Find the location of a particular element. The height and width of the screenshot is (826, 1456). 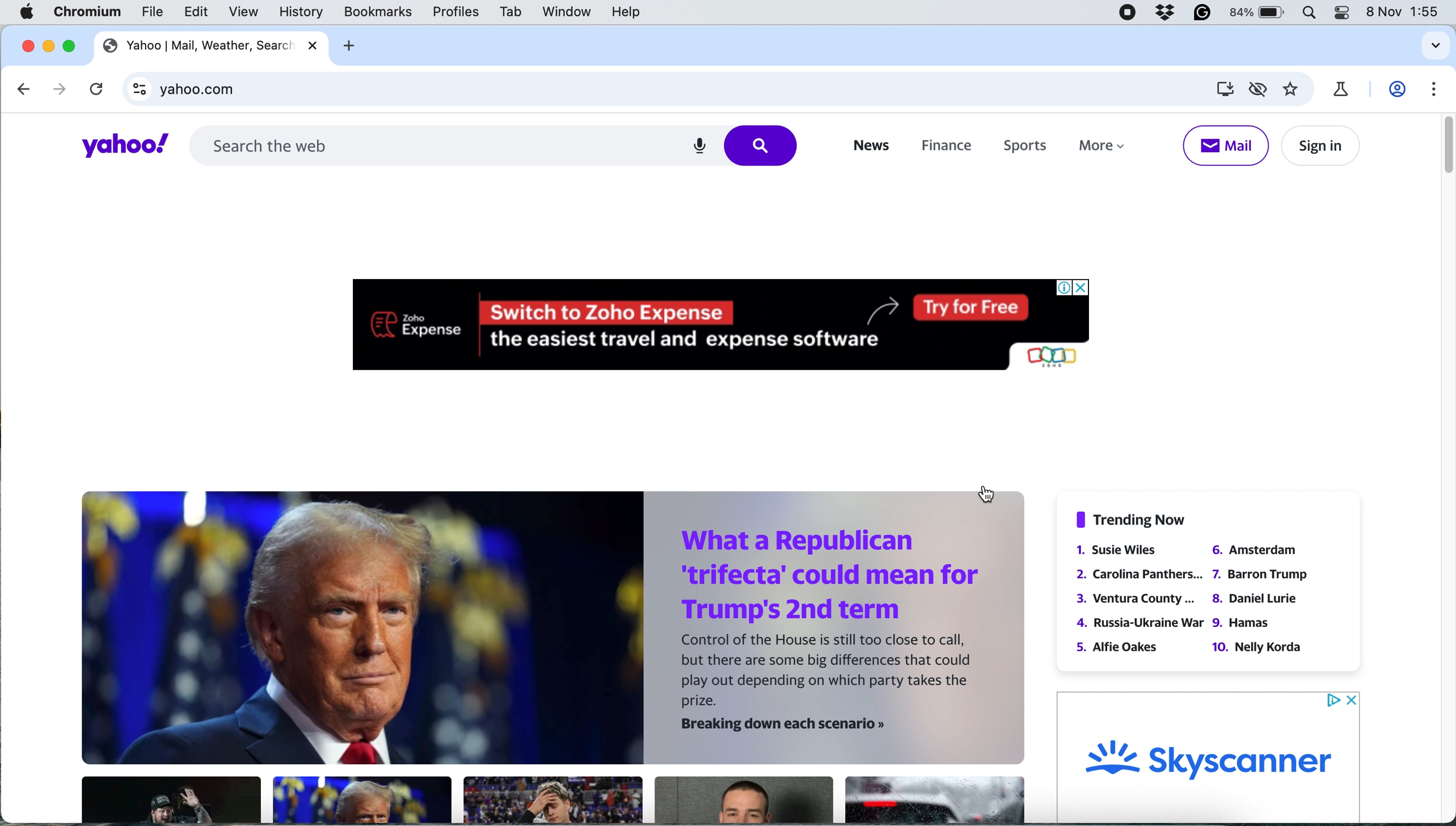

maximise is located at coordinates (68, 44).